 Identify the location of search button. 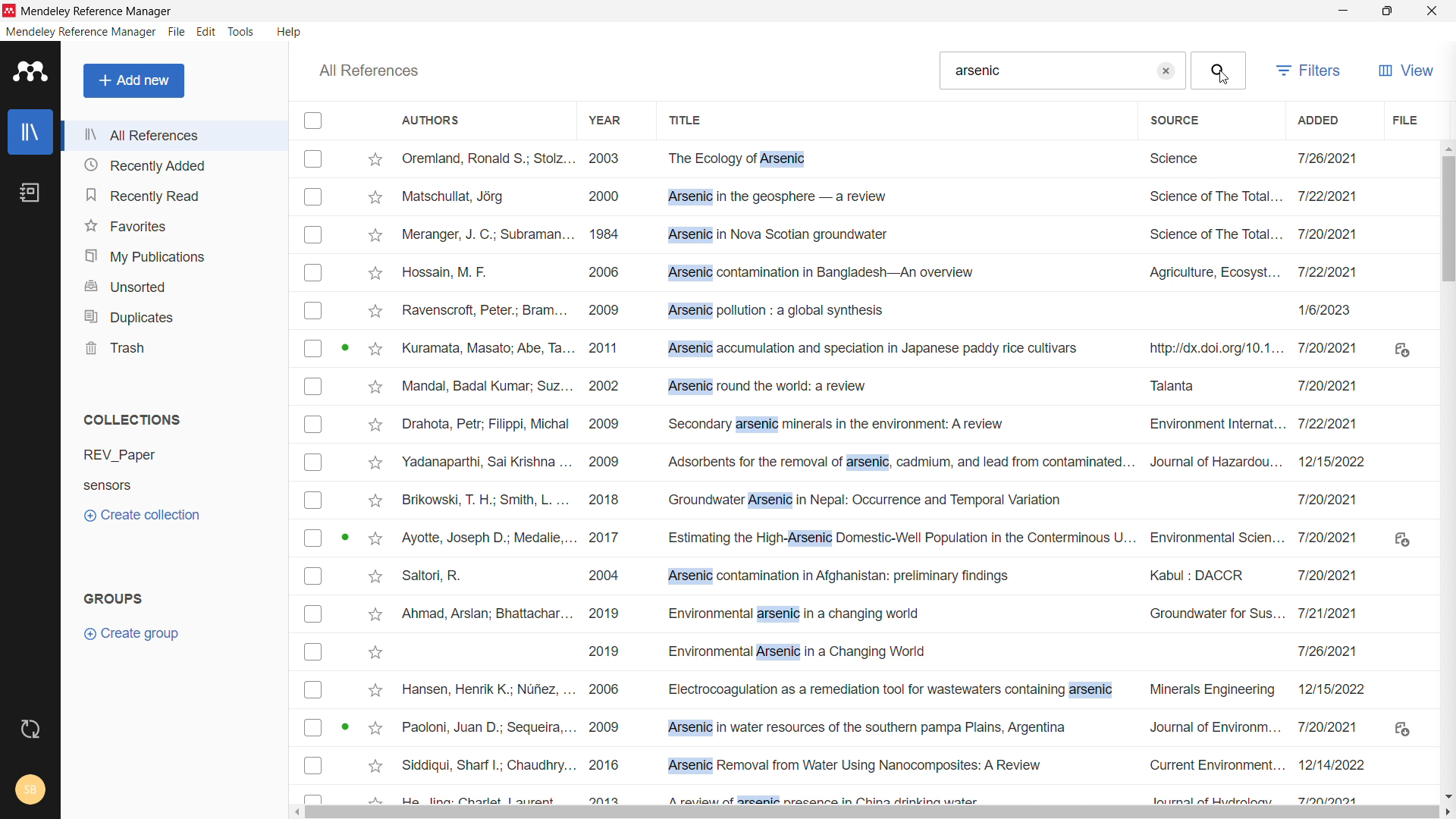
(1221, 71).